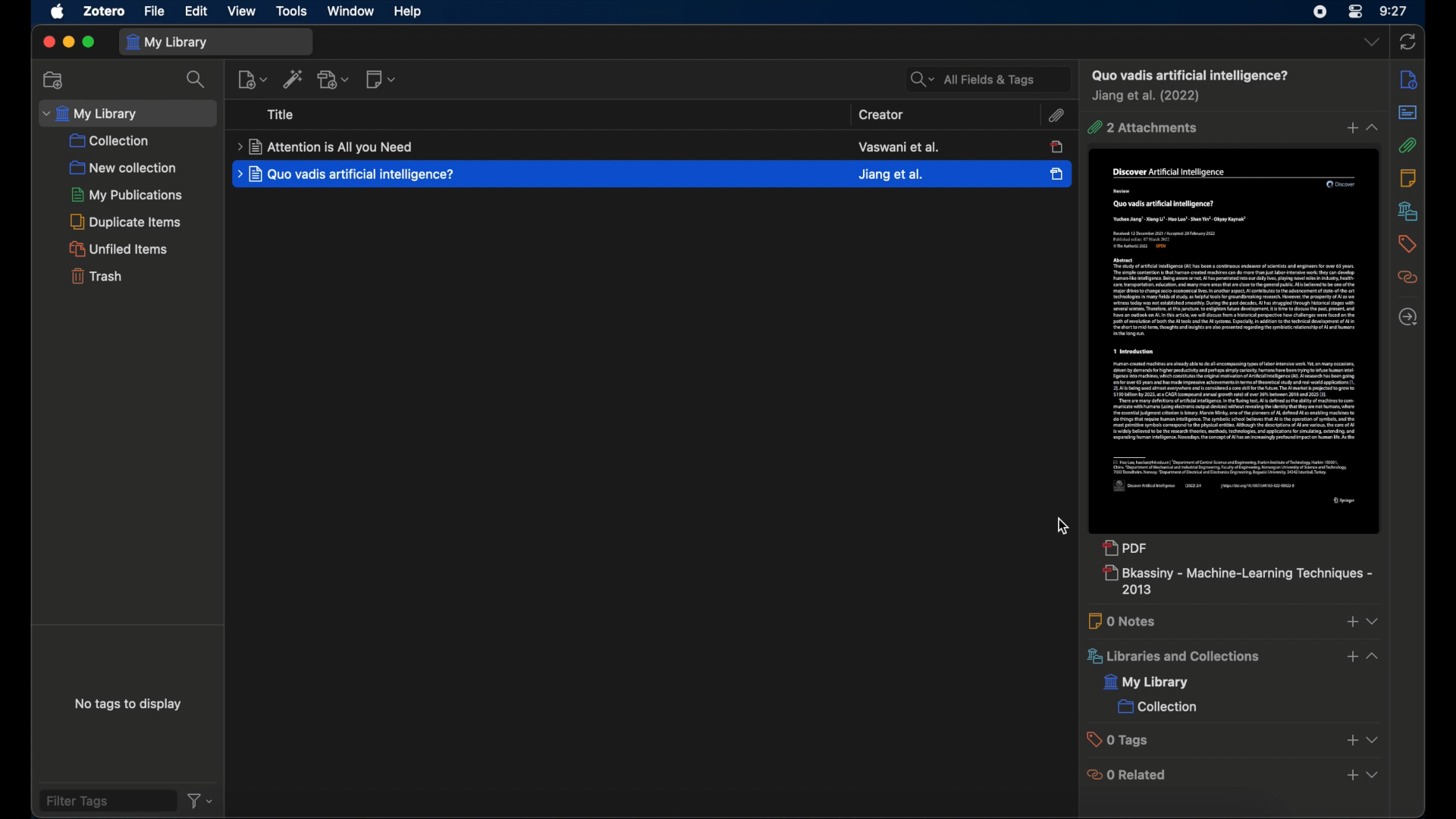  What do you see at coordinates (406, 11) in the screenshot?
I see `help` at bounding box center [406, 11].